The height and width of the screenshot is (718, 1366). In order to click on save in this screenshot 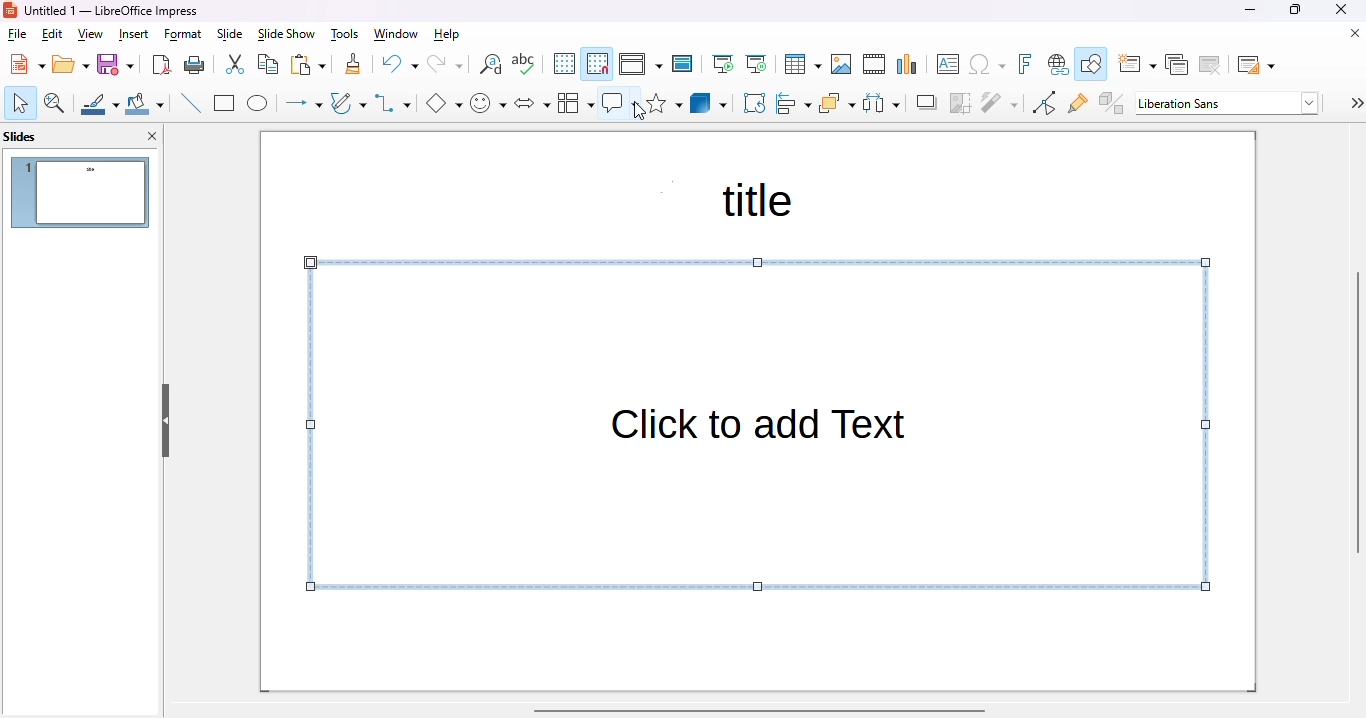, I will do `click(115, 64)`.